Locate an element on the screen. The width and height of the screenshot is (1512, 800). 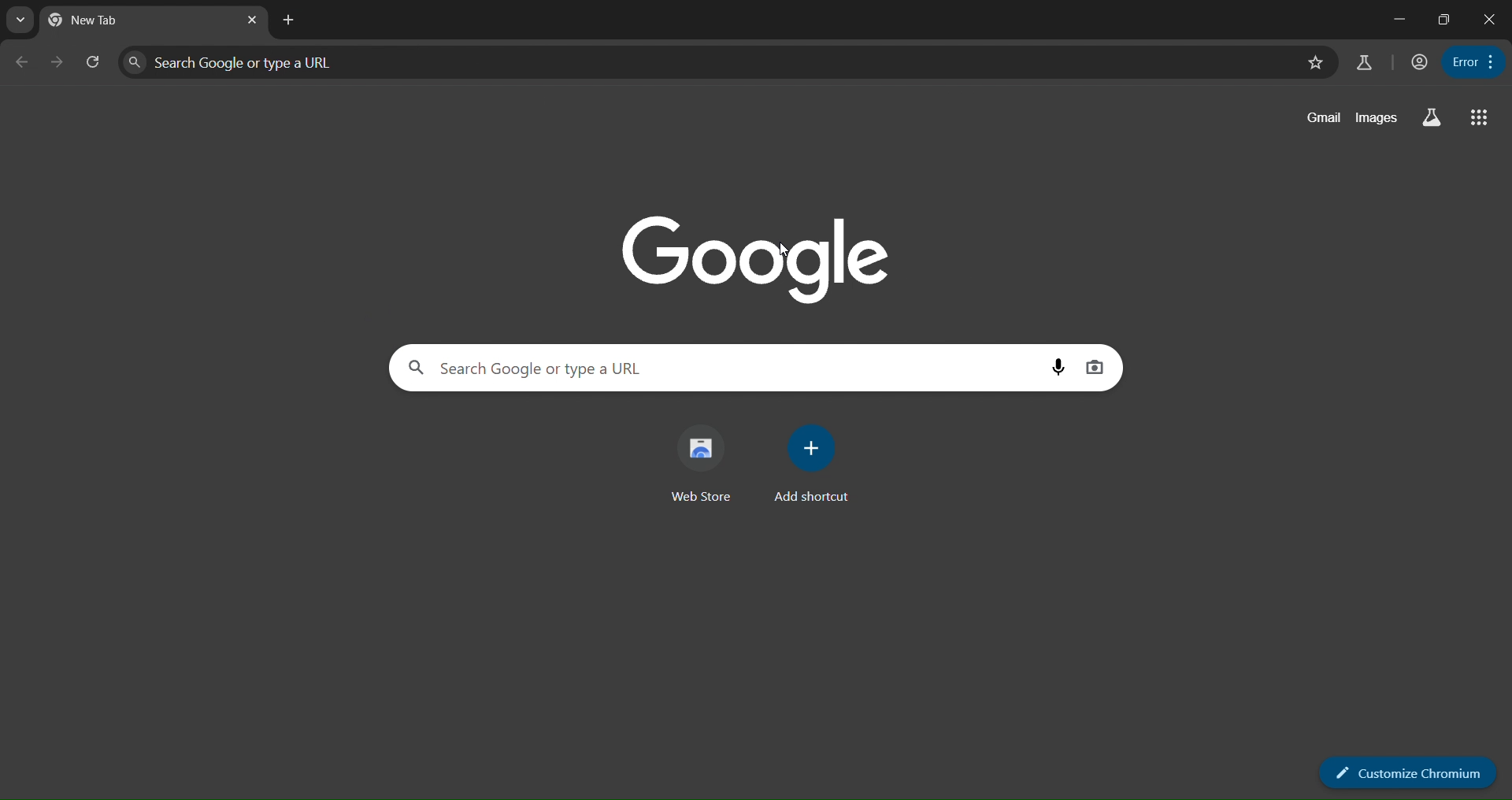
reload page is located at coordinates (94, 61).